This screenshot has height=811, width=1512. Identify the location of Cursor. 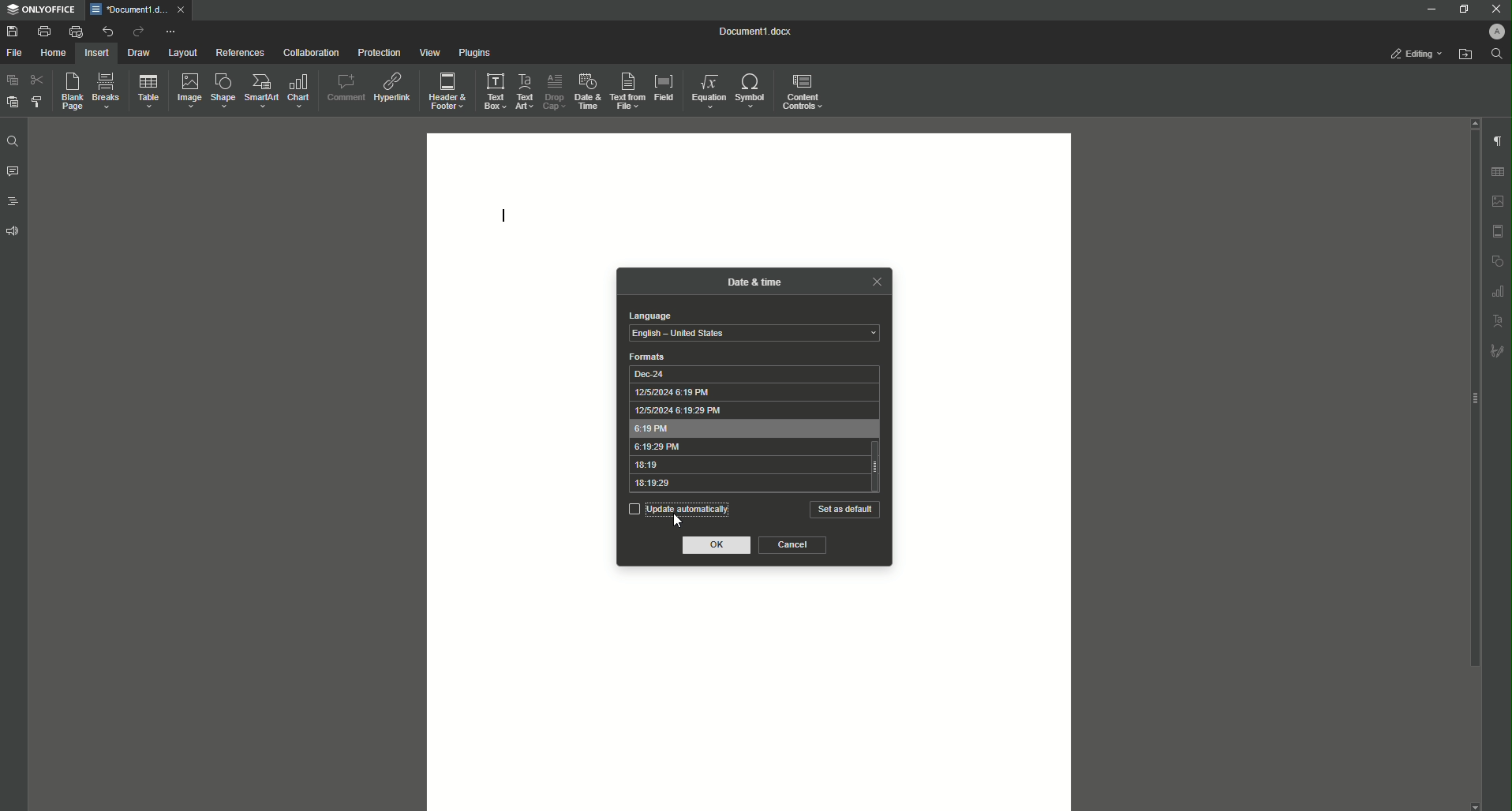
(679, 521).